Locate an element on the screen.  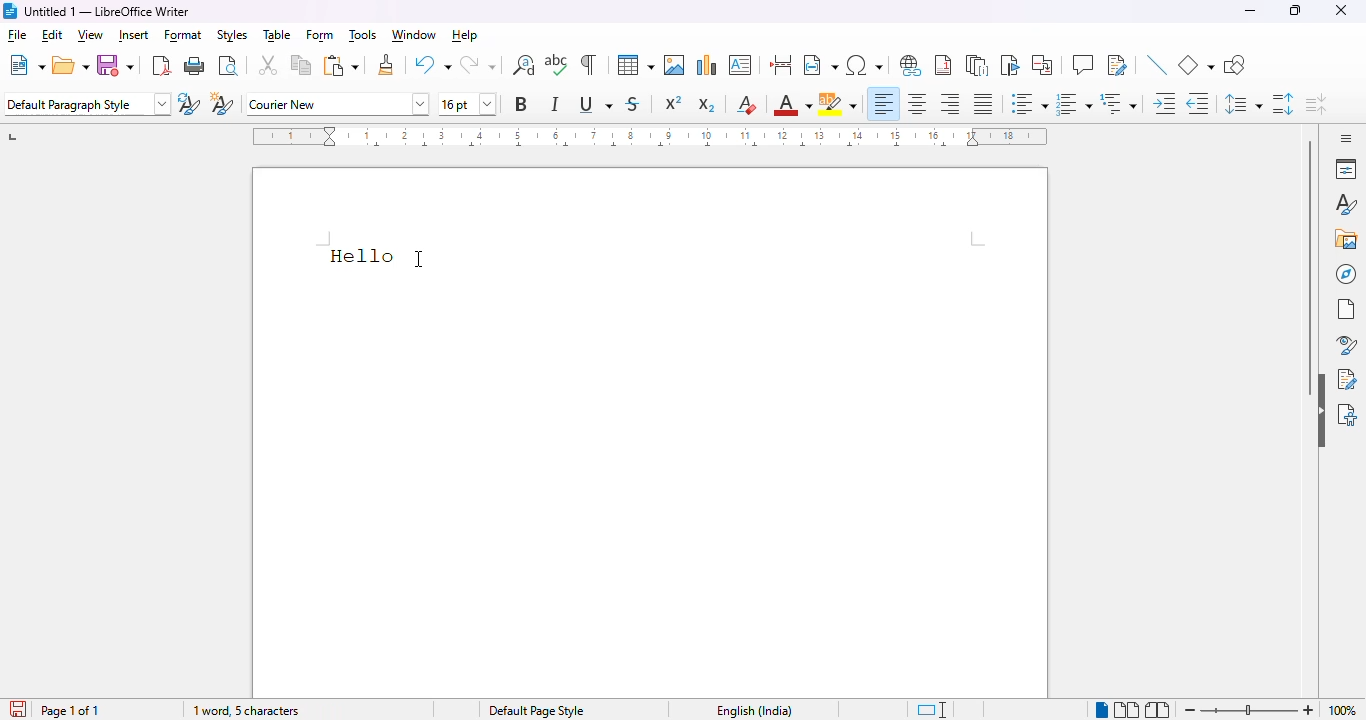
insert chart is located at coordinates (707, 64).